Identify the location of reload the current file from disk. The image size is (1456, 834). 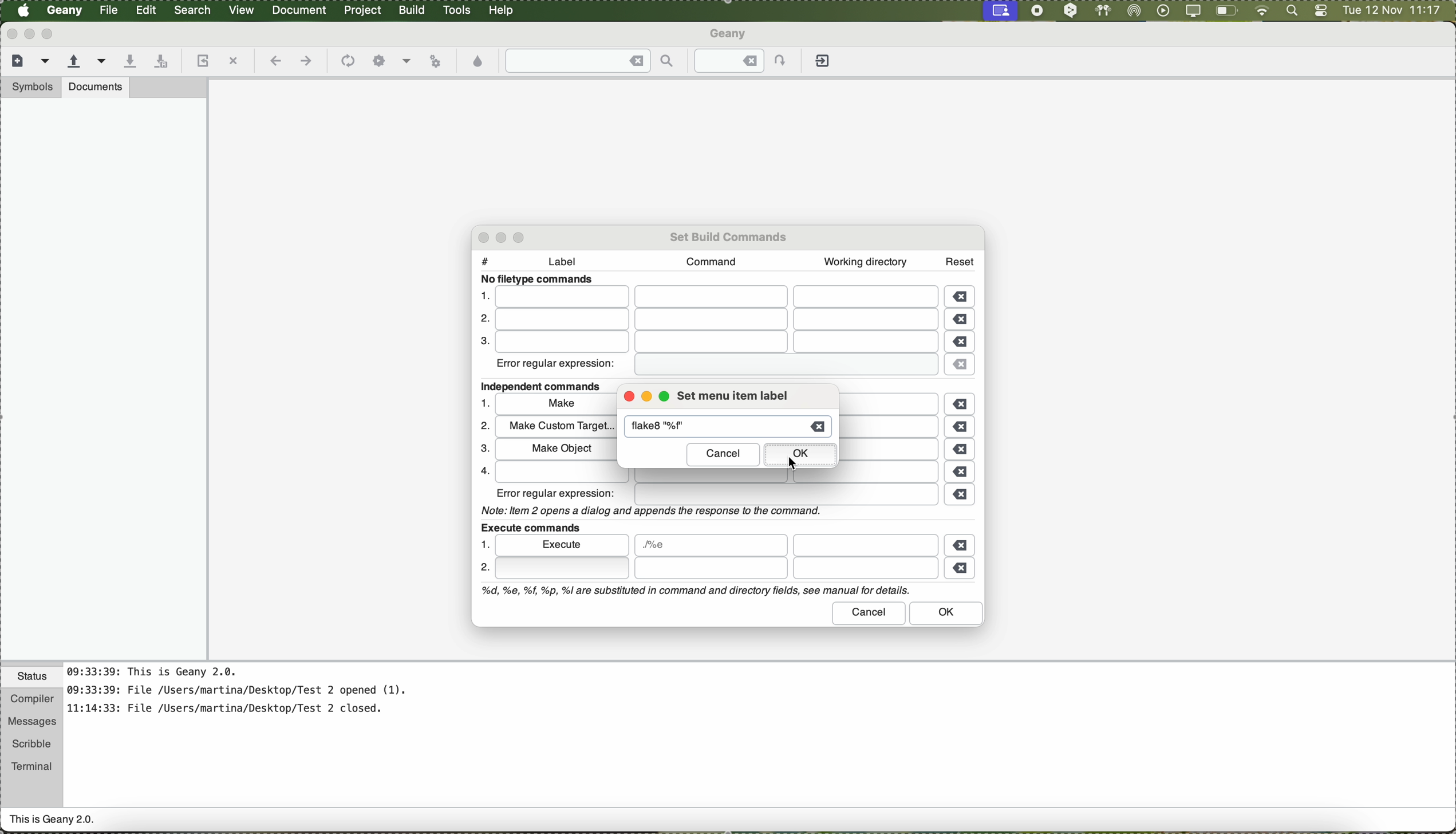
(201, 62).